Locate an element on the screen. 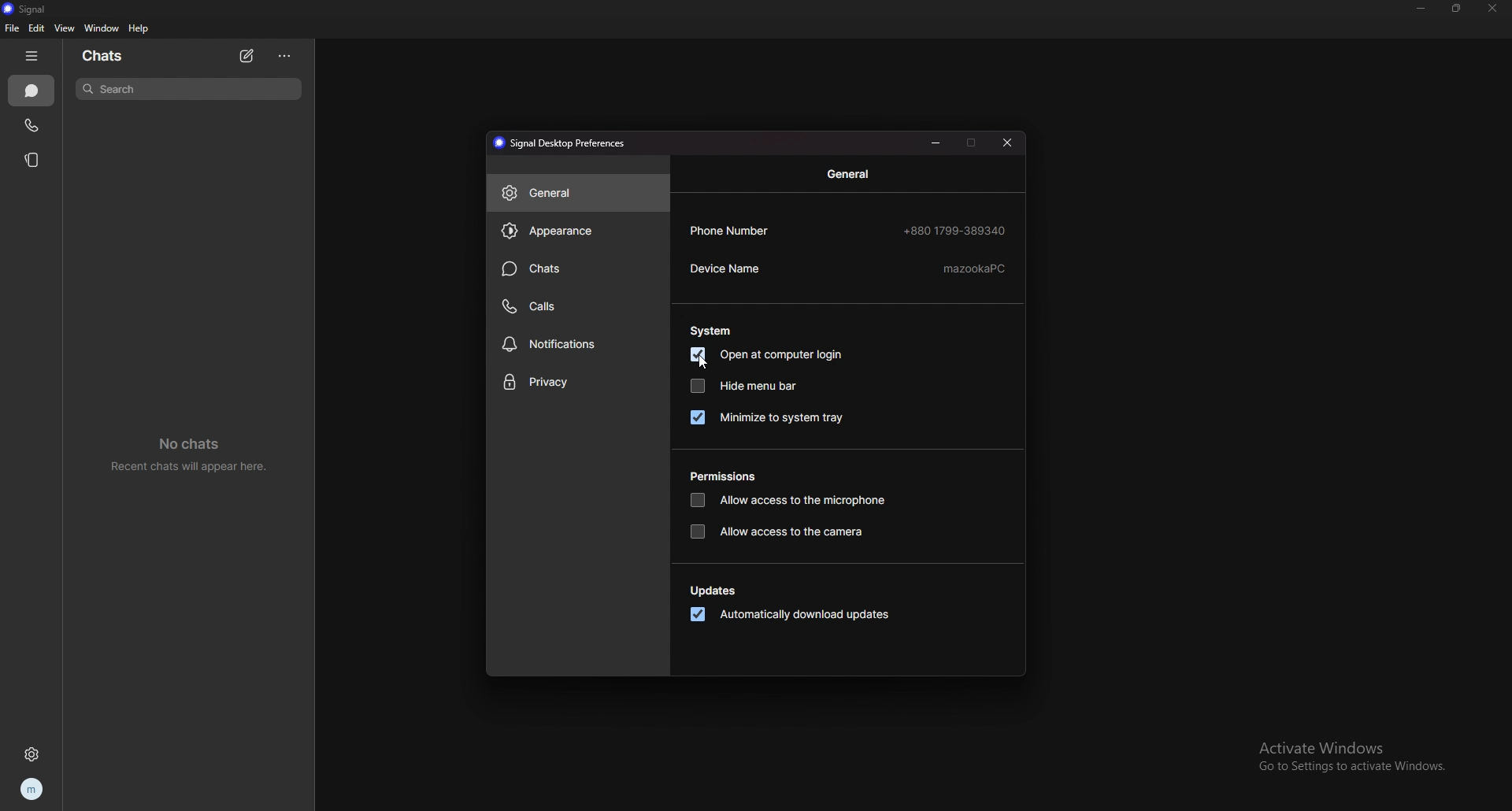 The width and height of the screenshot is (1512, 811). new chat is located at coordinates (246, 56).